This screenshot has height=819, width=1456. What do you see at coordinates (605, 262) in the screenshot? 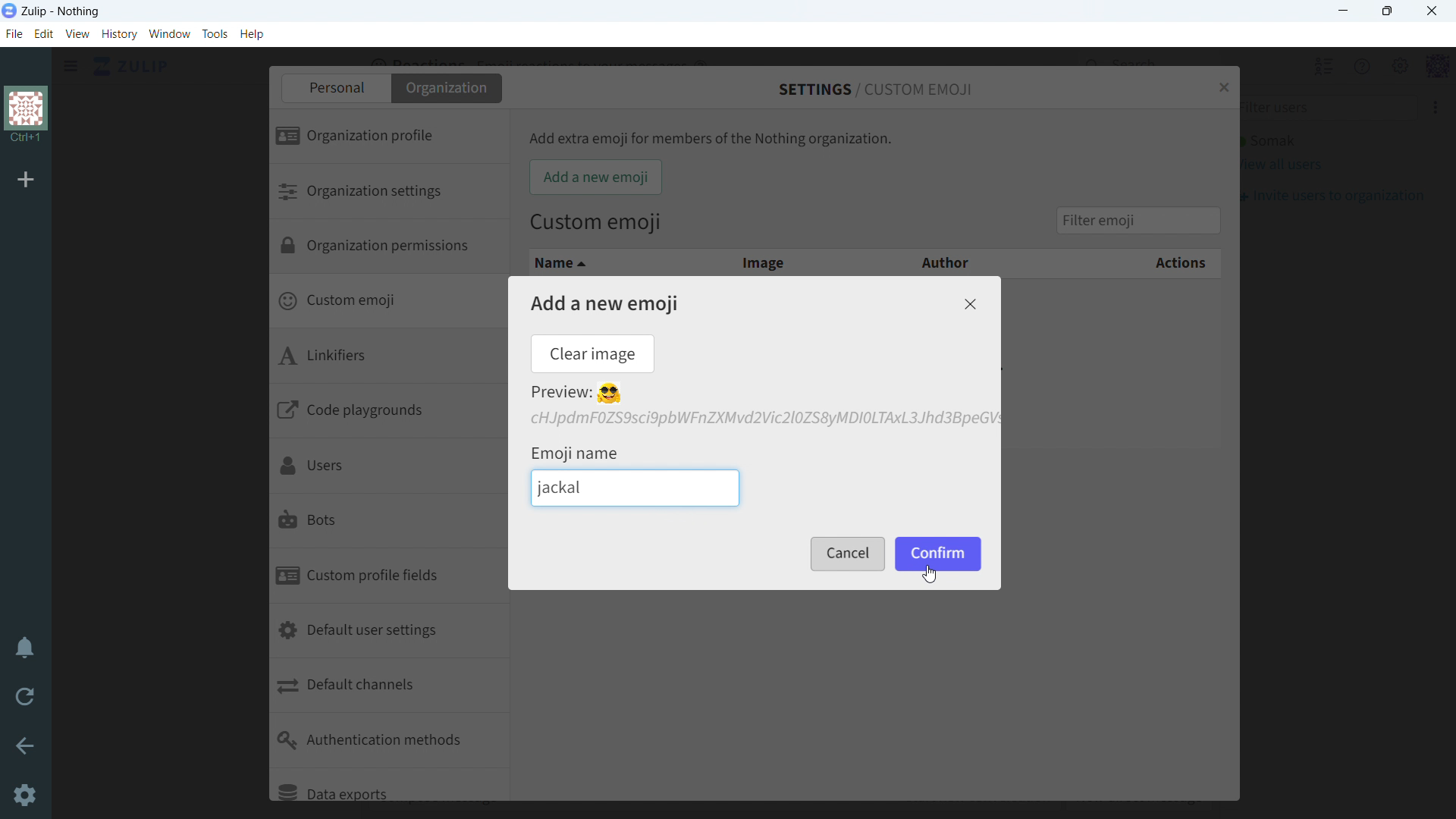
I see `name` at bounding box center [605, 262].